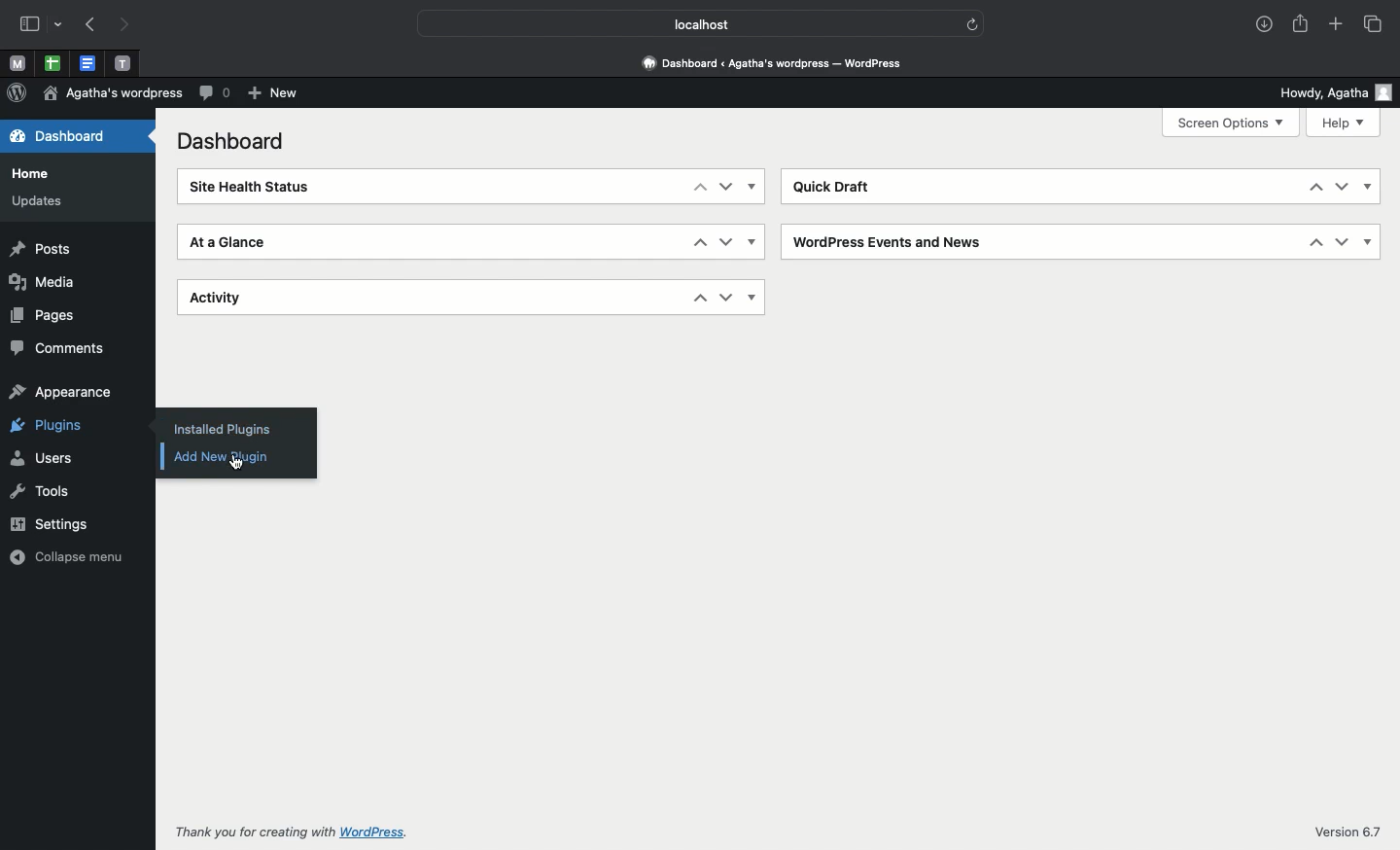 Image resolution: width=1400 pixels, height=850 pixels. I want to click on Pages, so click(44, 315).